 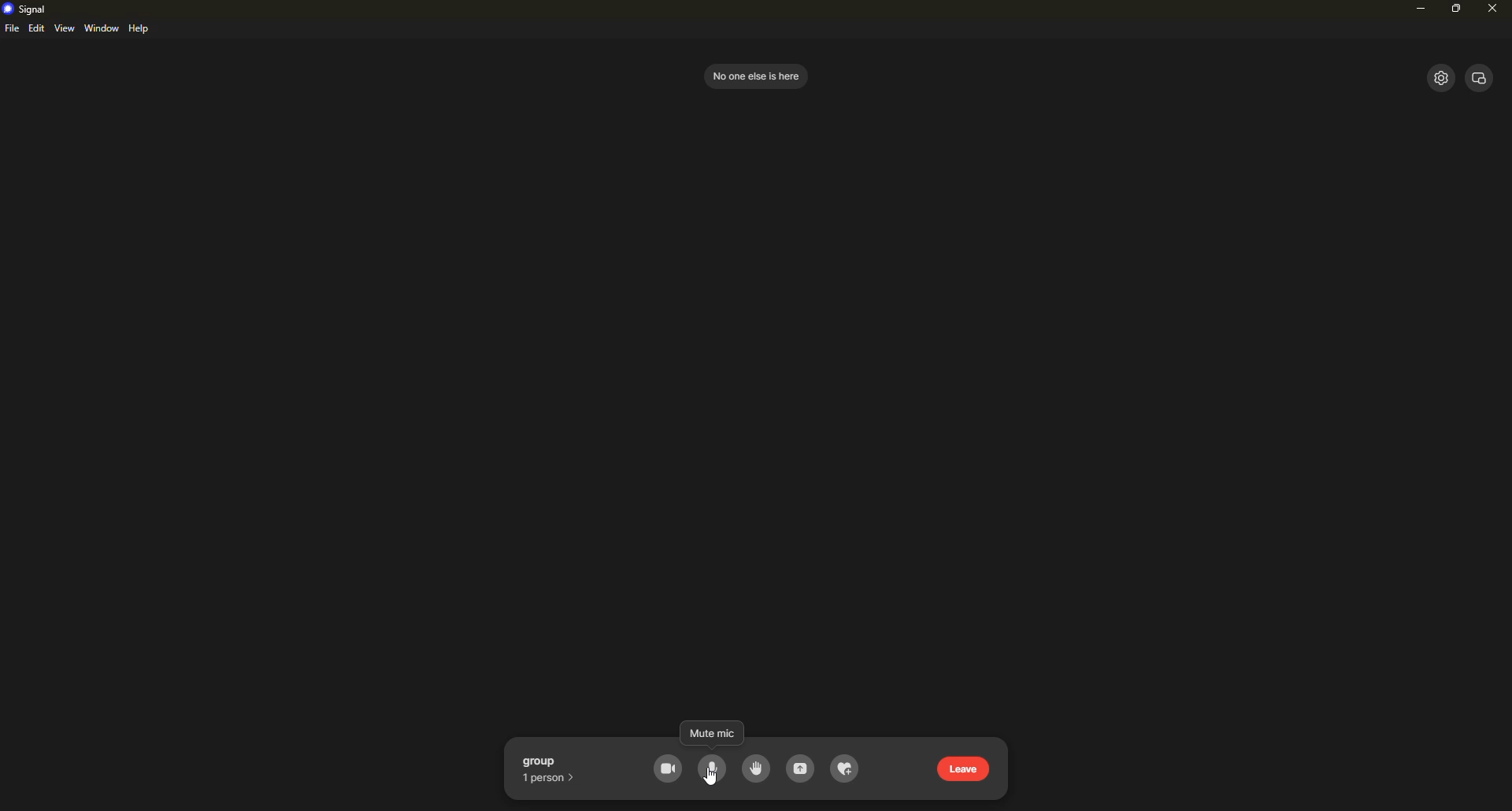 What do you see at coordinates (1416, 11) in the screenshot?
I see `minimize` at bounding box center [1416, 11].